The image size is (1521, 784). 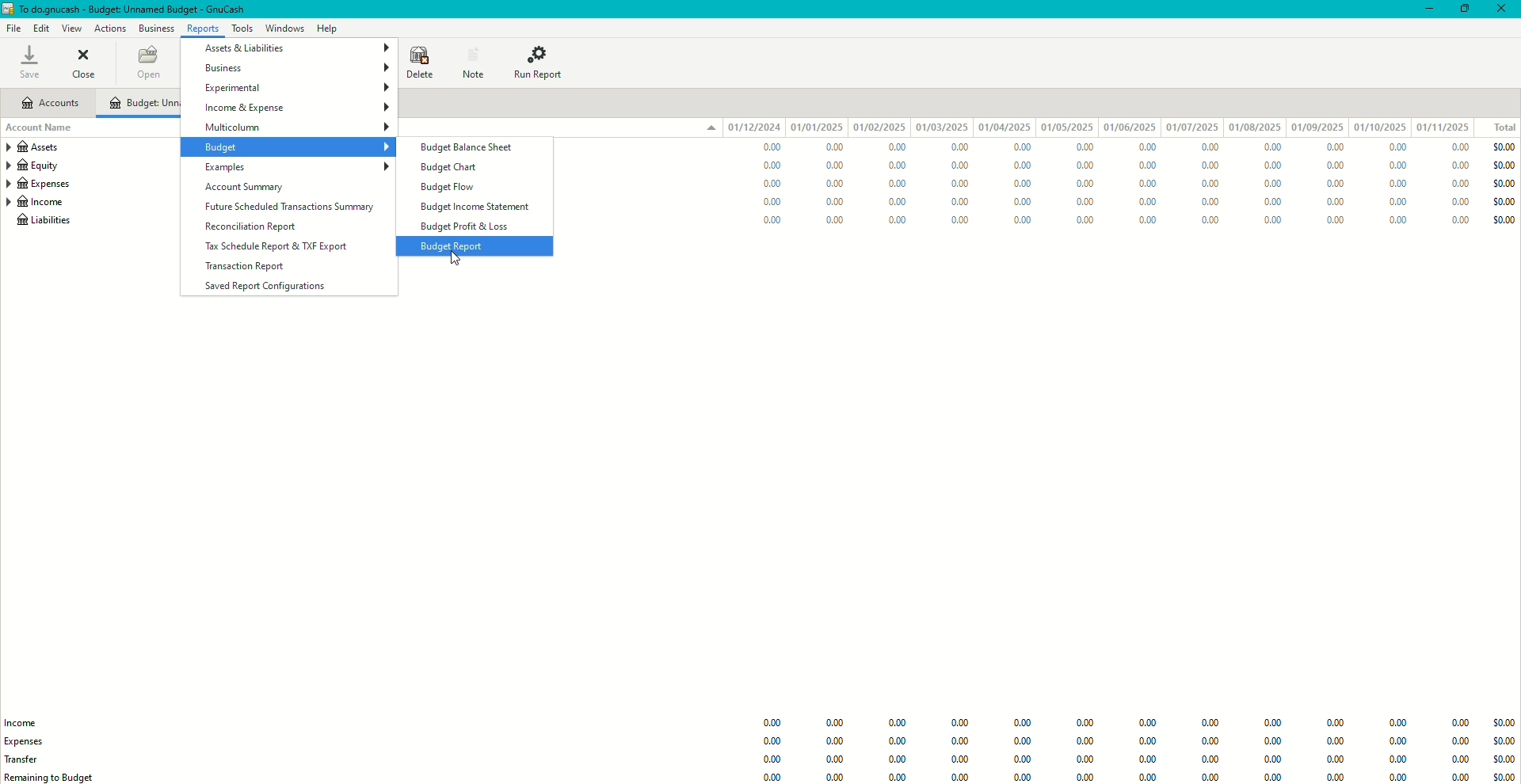 I want to click on 0.00, so click(x=1205, y=166).